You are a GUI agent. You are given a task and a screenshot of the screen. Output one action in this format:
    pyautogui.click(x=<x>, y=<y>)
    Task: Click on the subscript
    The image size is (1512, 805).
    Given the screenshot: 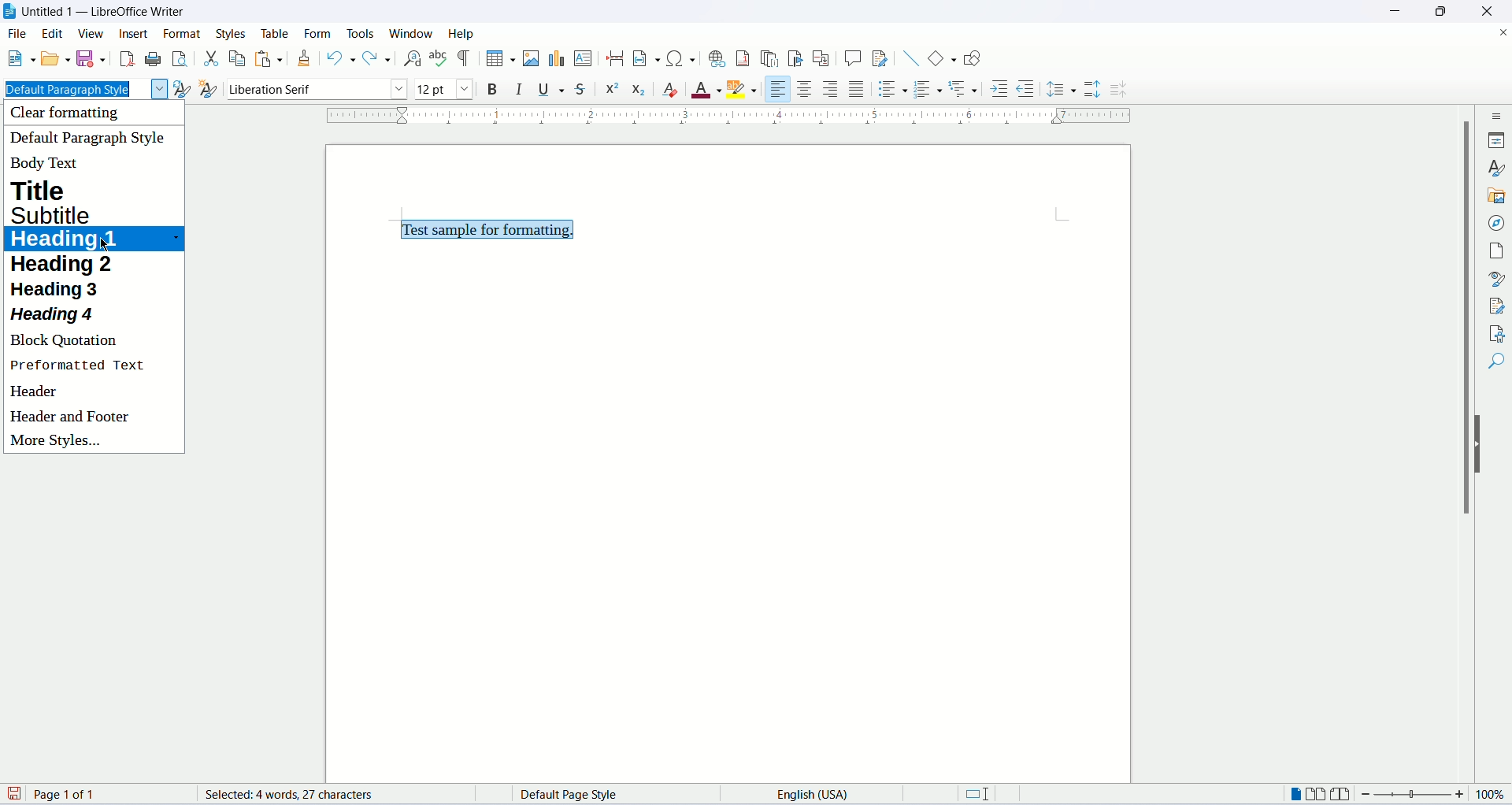 What is the action you would take?
    pyautogui.click(x=639, y=87)
    